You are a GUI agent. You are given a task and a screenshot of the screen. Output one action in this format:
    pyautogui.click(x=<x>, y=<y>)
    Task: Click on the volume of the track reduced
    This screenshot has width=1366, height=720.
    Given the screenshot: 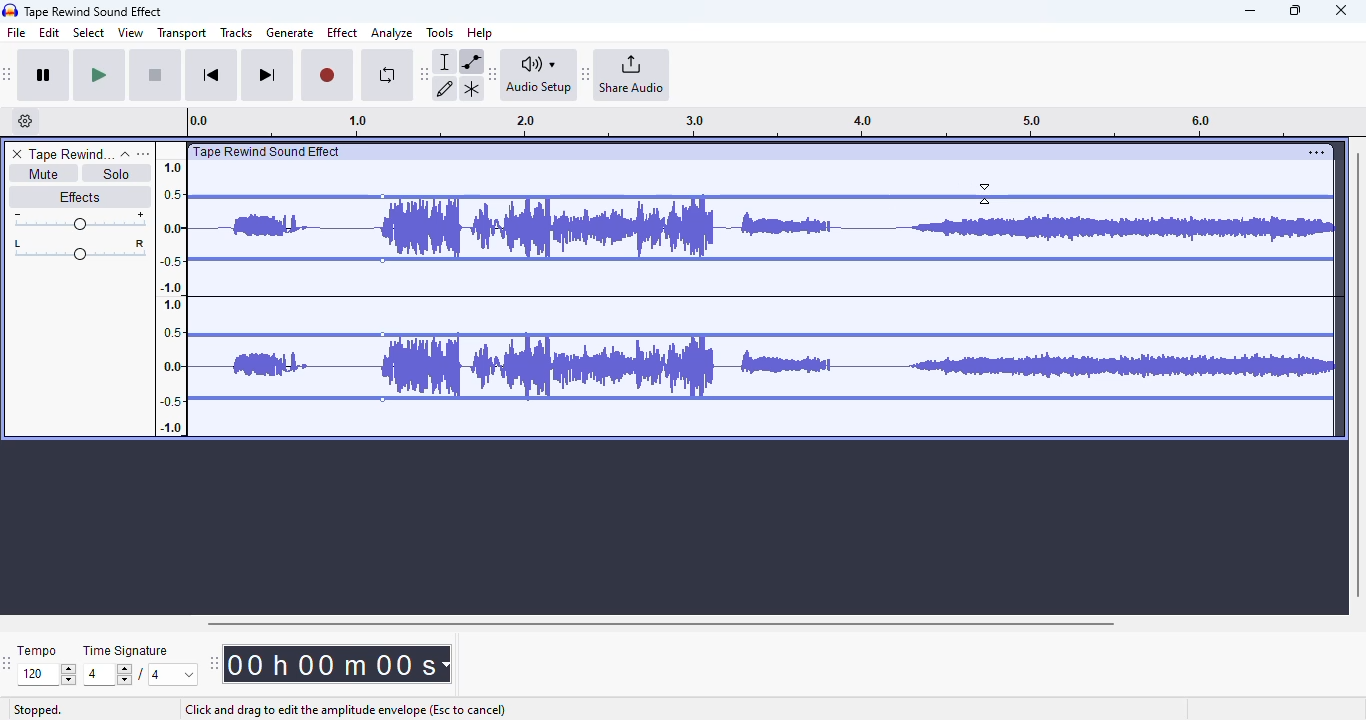 What is the action you would take?
    pyautogui.click(x=847, y=290)
    